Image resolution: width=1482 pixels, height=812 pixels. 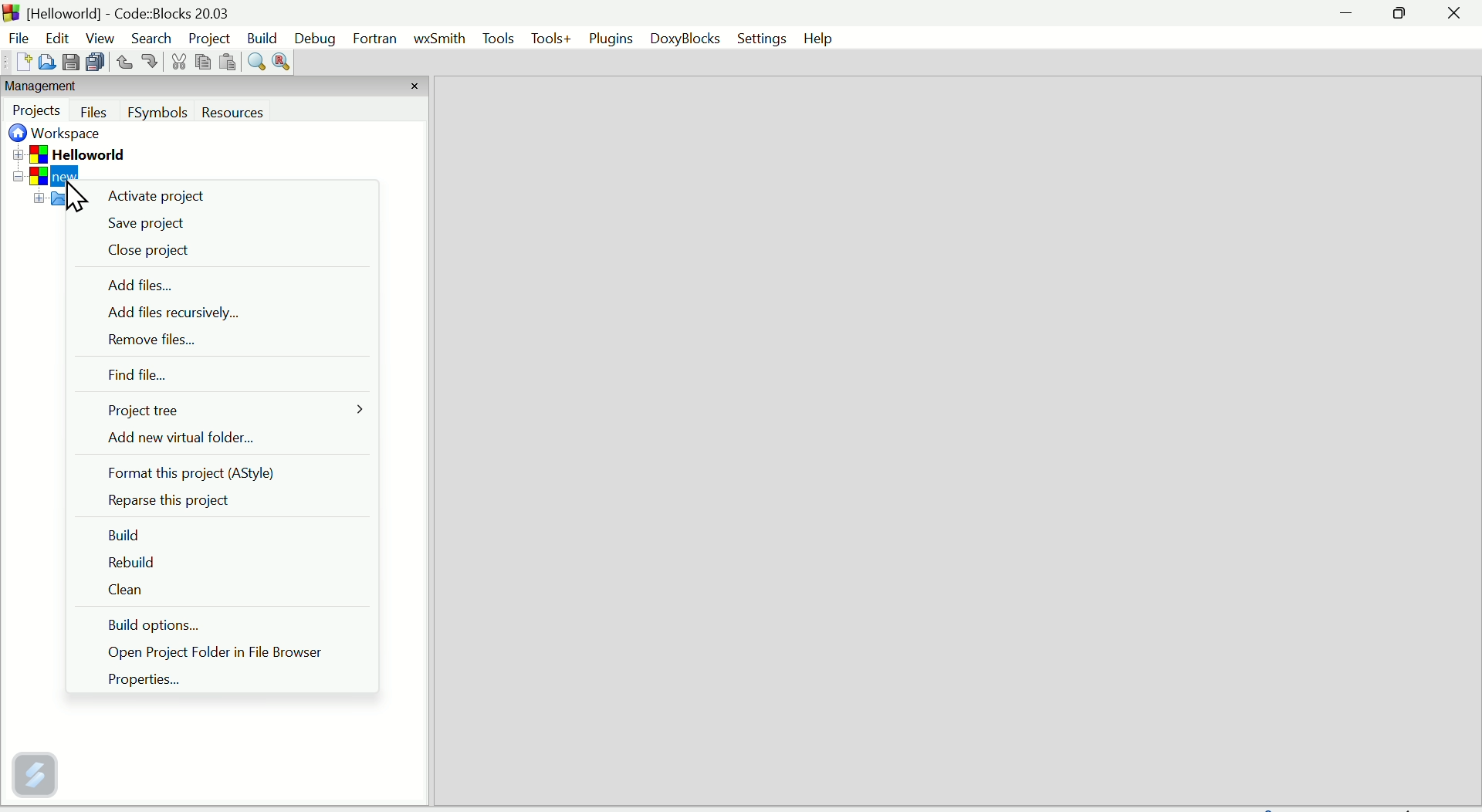 I want to click on , so click(x=149, y=61).